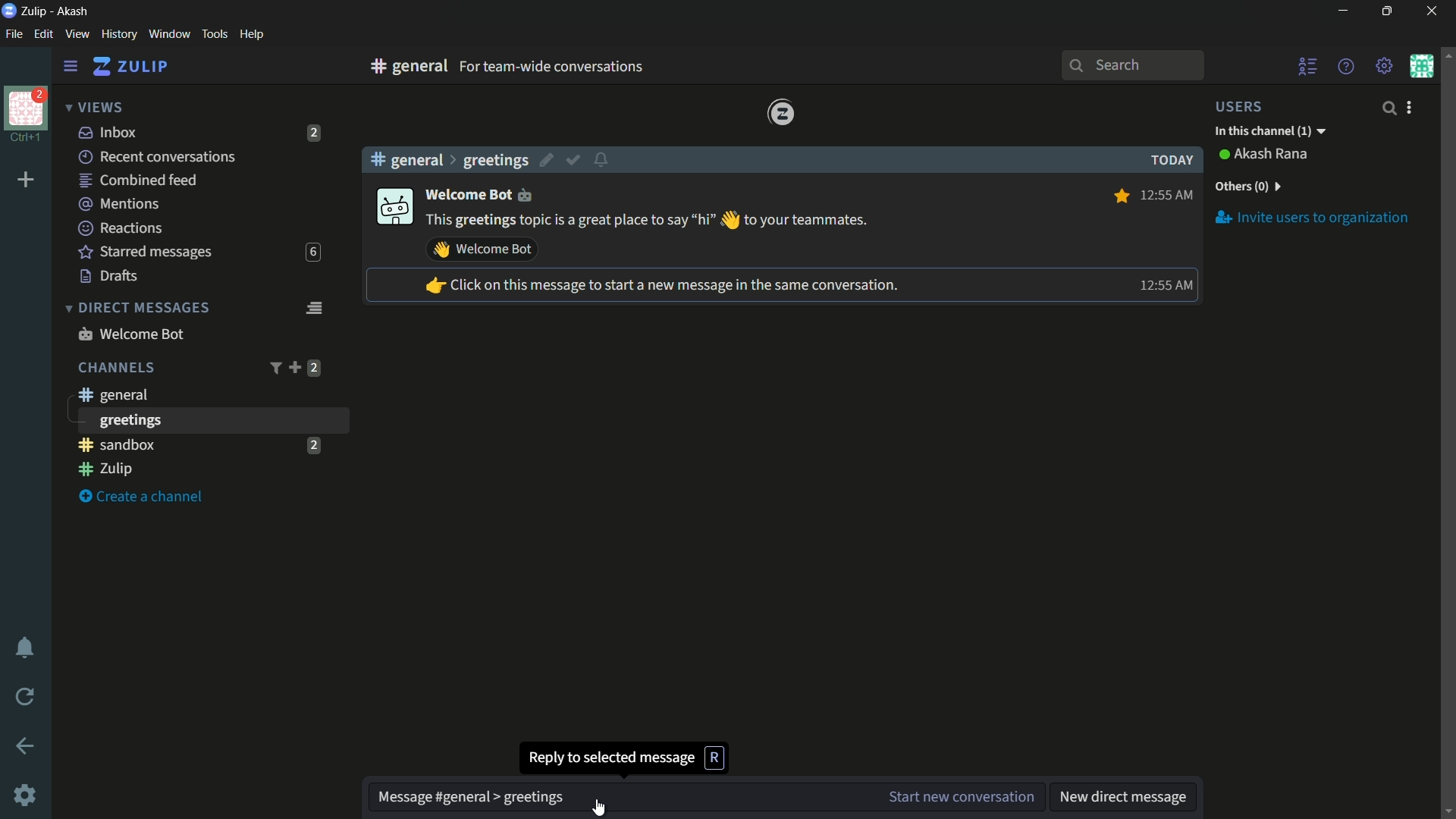 This screenshot has width=1456, height=819. What do you see at coordinates (1169, 193) in the screenshot?
I see `12: 55 AM` at bounding box center [1169, 193].